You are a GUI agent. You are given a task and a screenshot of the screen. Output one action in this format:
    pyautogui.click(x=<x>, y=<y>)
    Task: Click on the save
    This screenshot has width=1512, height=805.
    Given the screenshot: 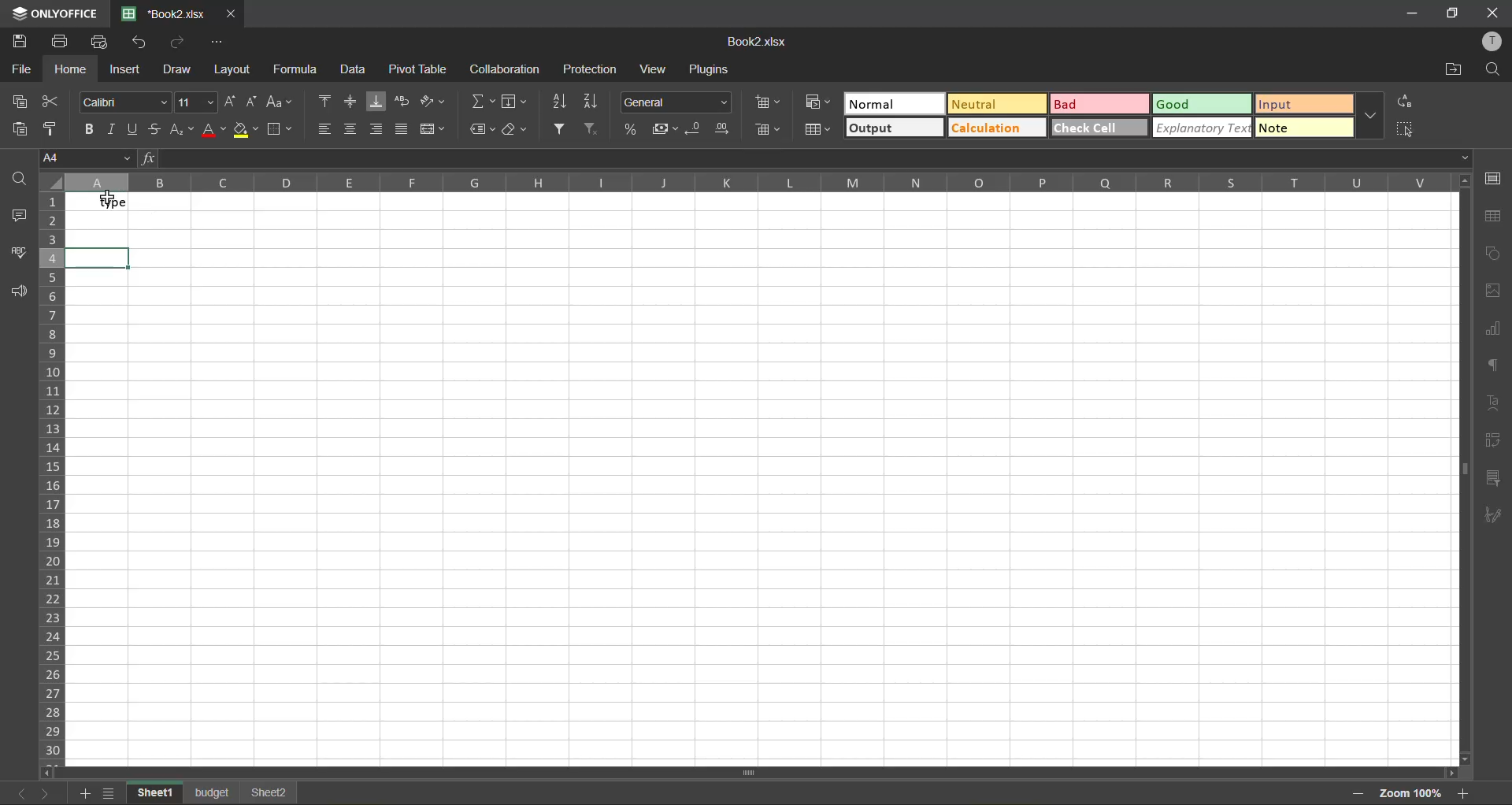 What is the action you would take?
    pyautogui.click(x=20, y=40)
    